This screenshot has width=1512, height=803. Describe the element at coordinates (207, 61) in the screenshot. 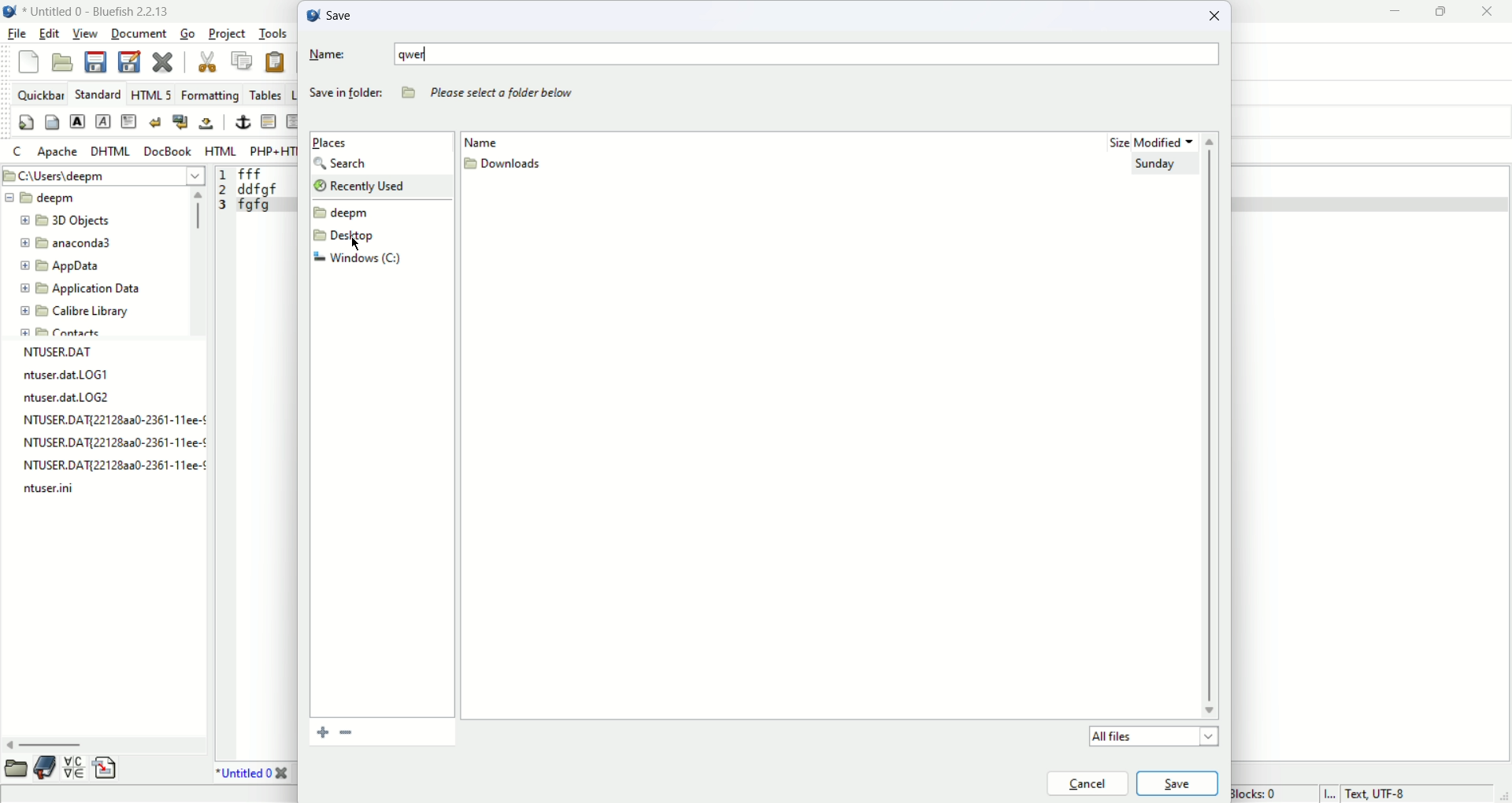

I see `cut` at that location.